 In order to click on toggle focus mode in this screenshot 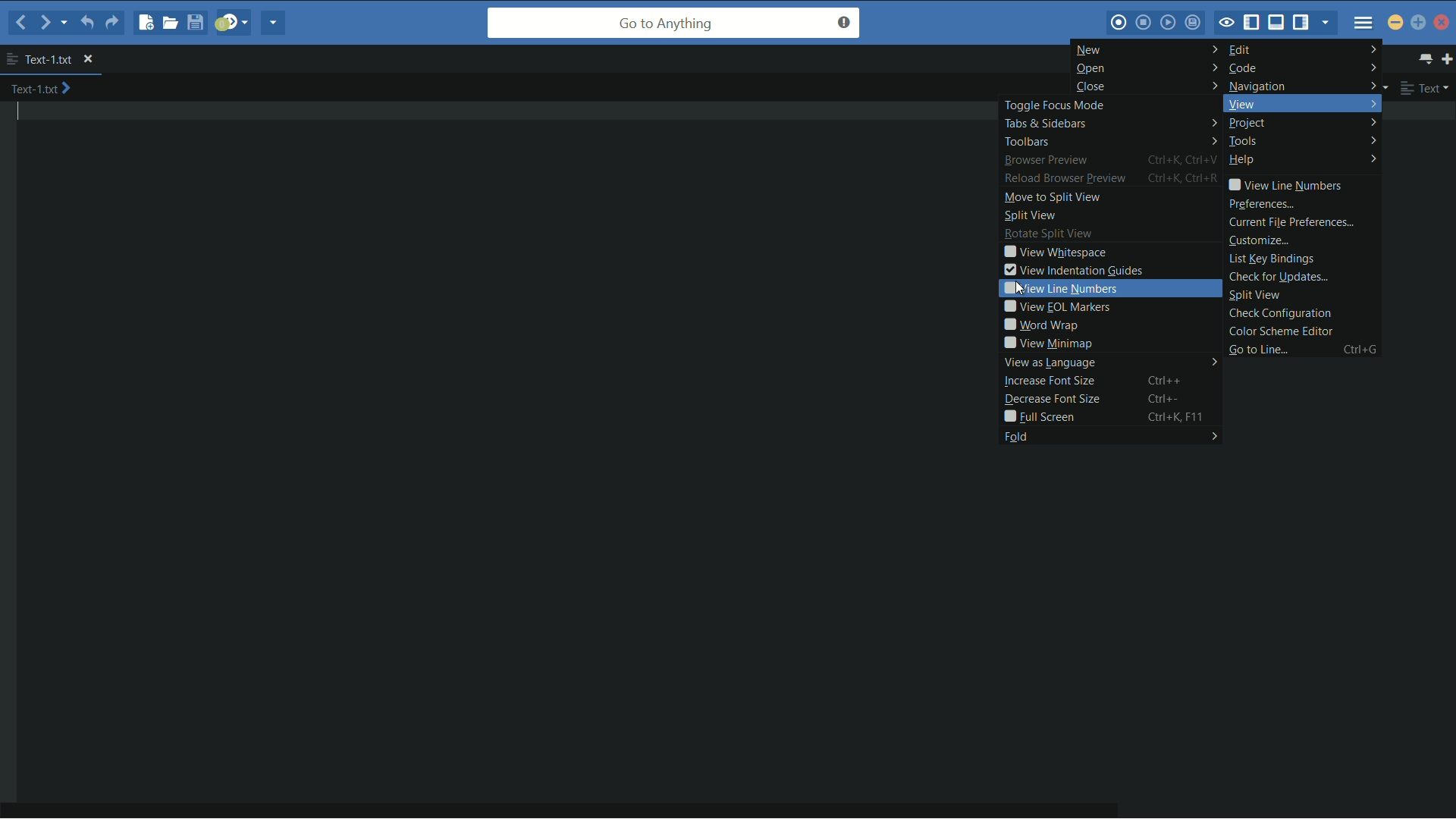, I will do `click(1226, 23)`.